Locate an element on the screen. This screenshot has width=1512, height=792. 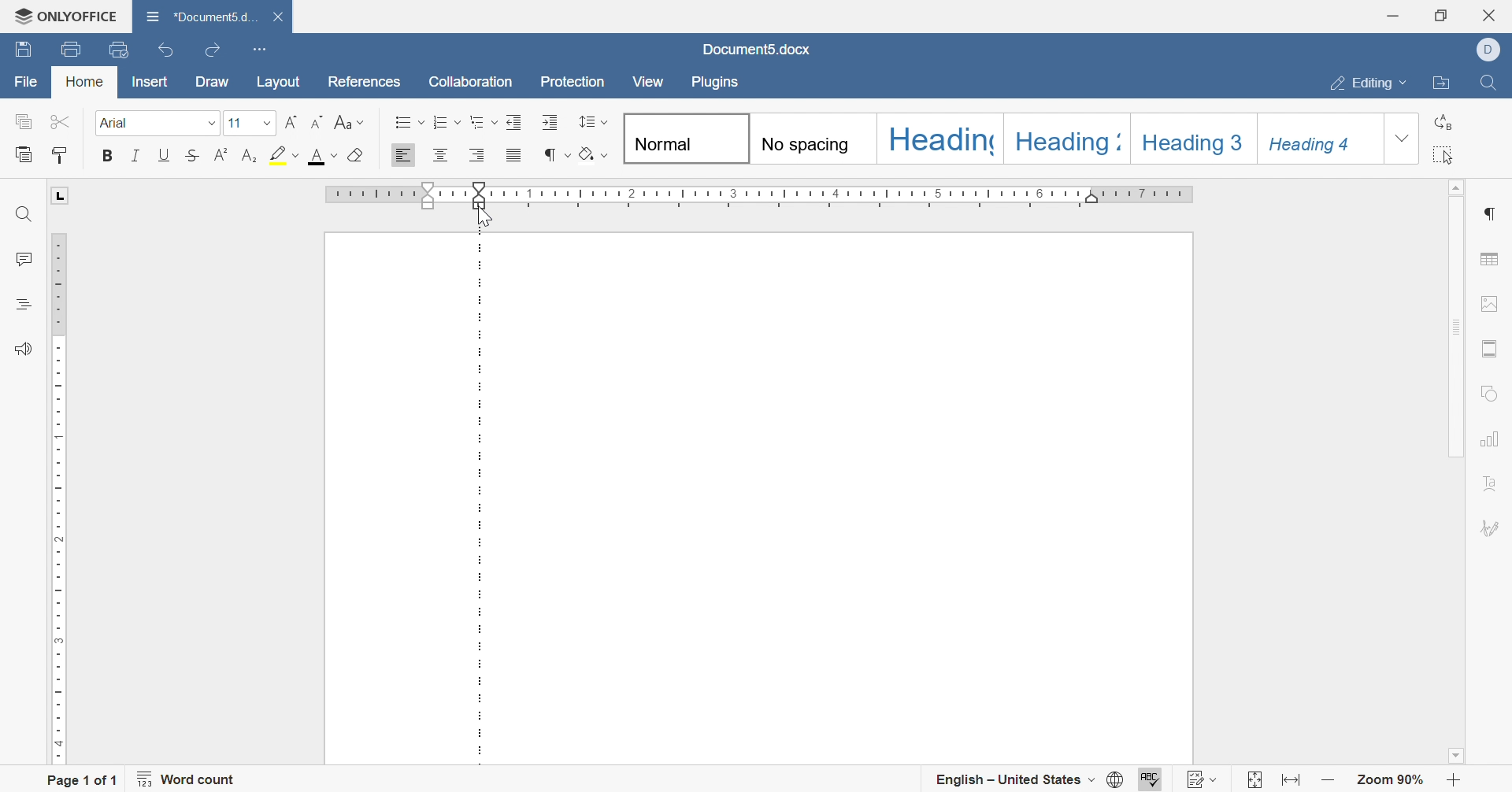
Align Right is located at coordinates (478, 155).